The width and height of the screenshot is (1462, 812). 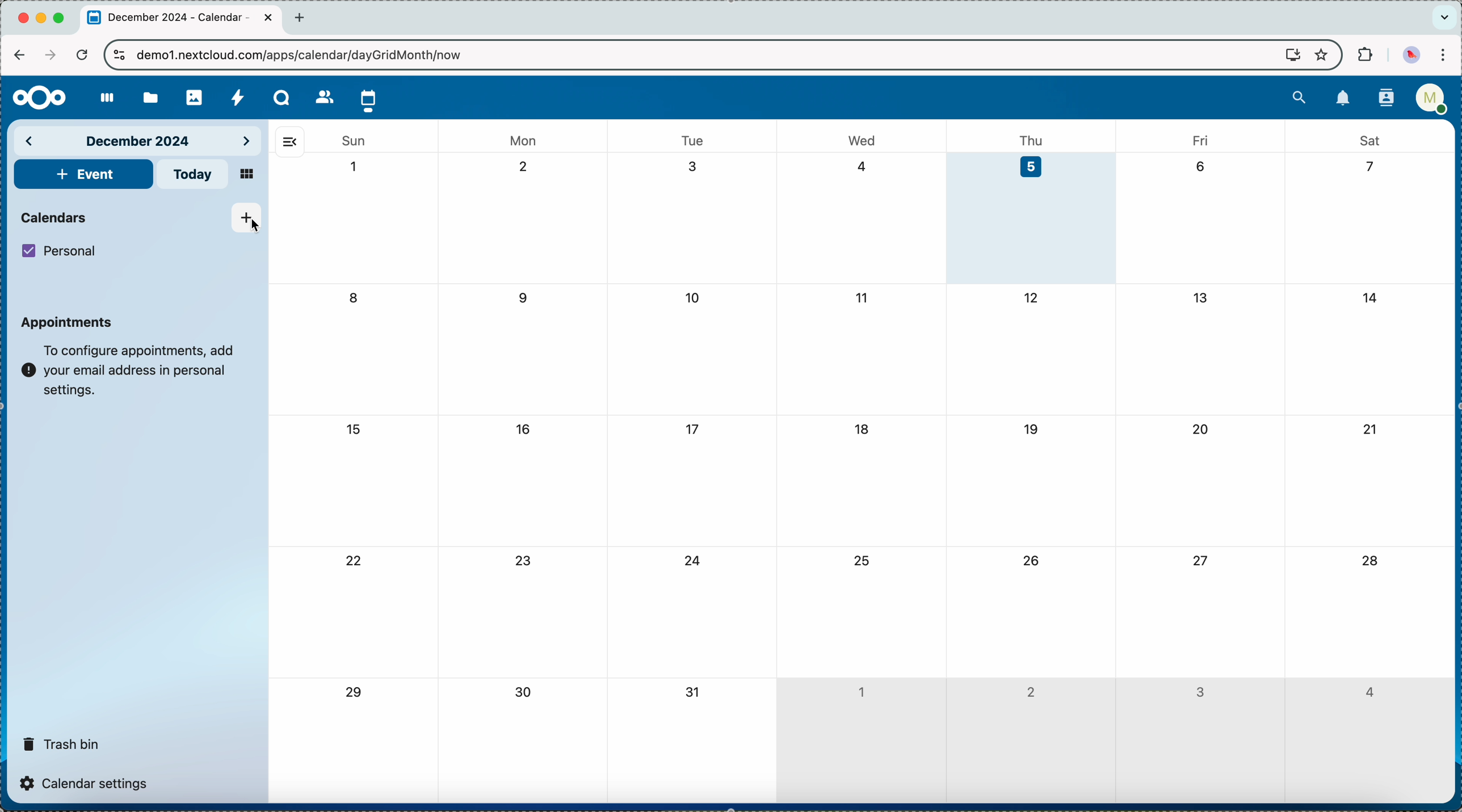 I want to click on dashboard, so click(x=102, y=99).